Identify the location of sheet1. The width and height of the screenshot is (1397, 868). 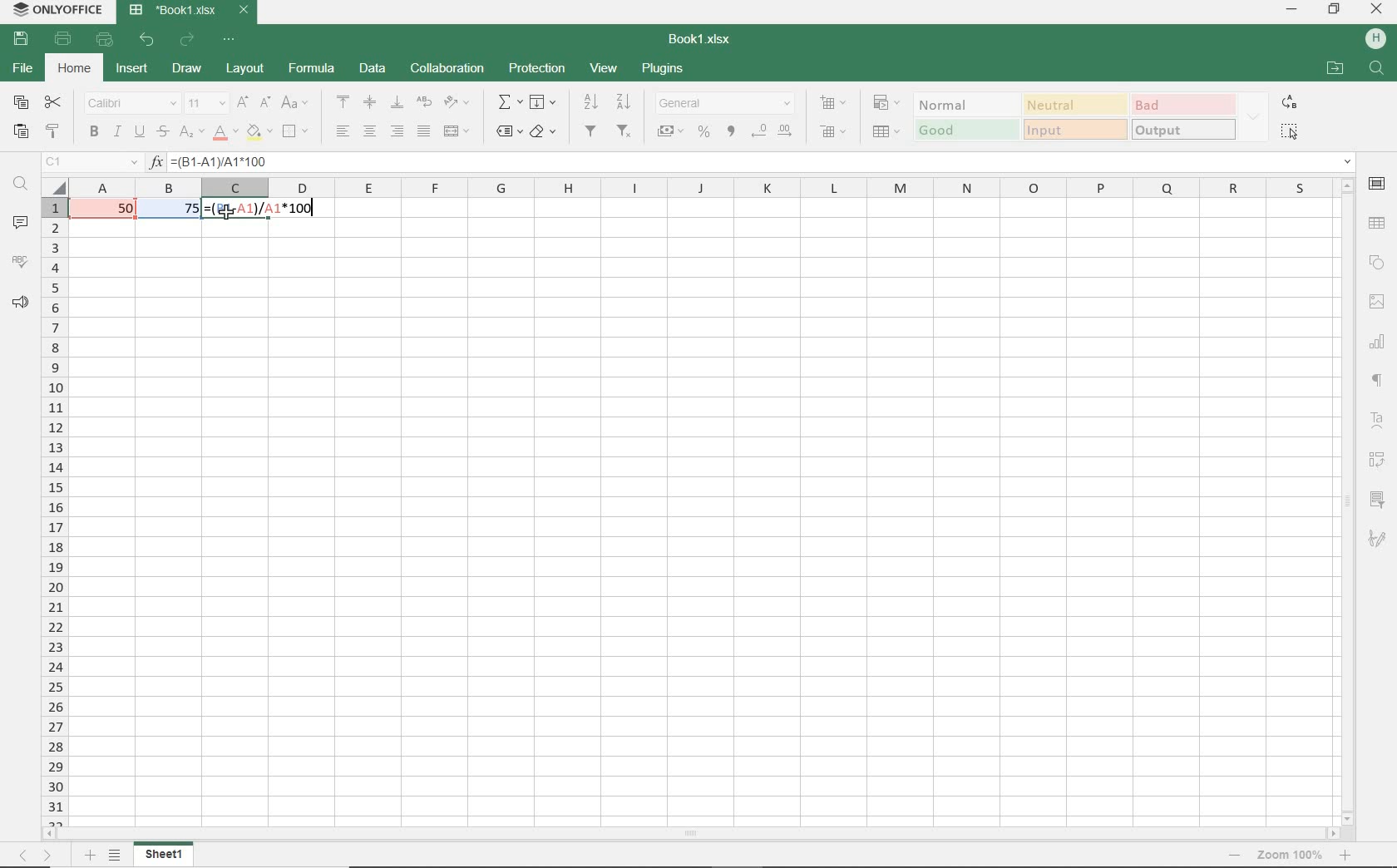
(167, 854).